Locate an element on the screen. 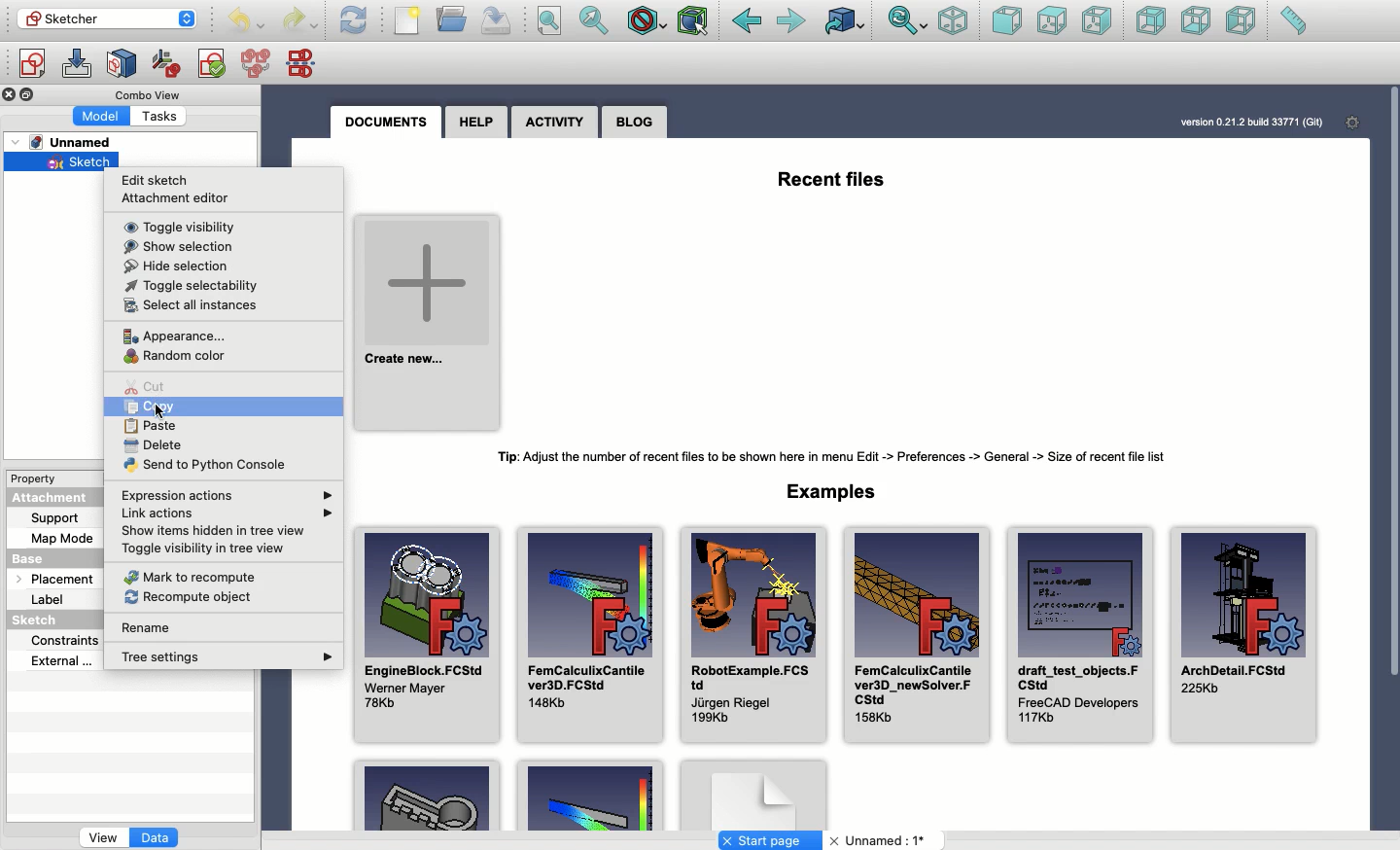 Image resolution: width=1400 pixels, height=850 pixels. Examples is located at coordinates (837, 490).